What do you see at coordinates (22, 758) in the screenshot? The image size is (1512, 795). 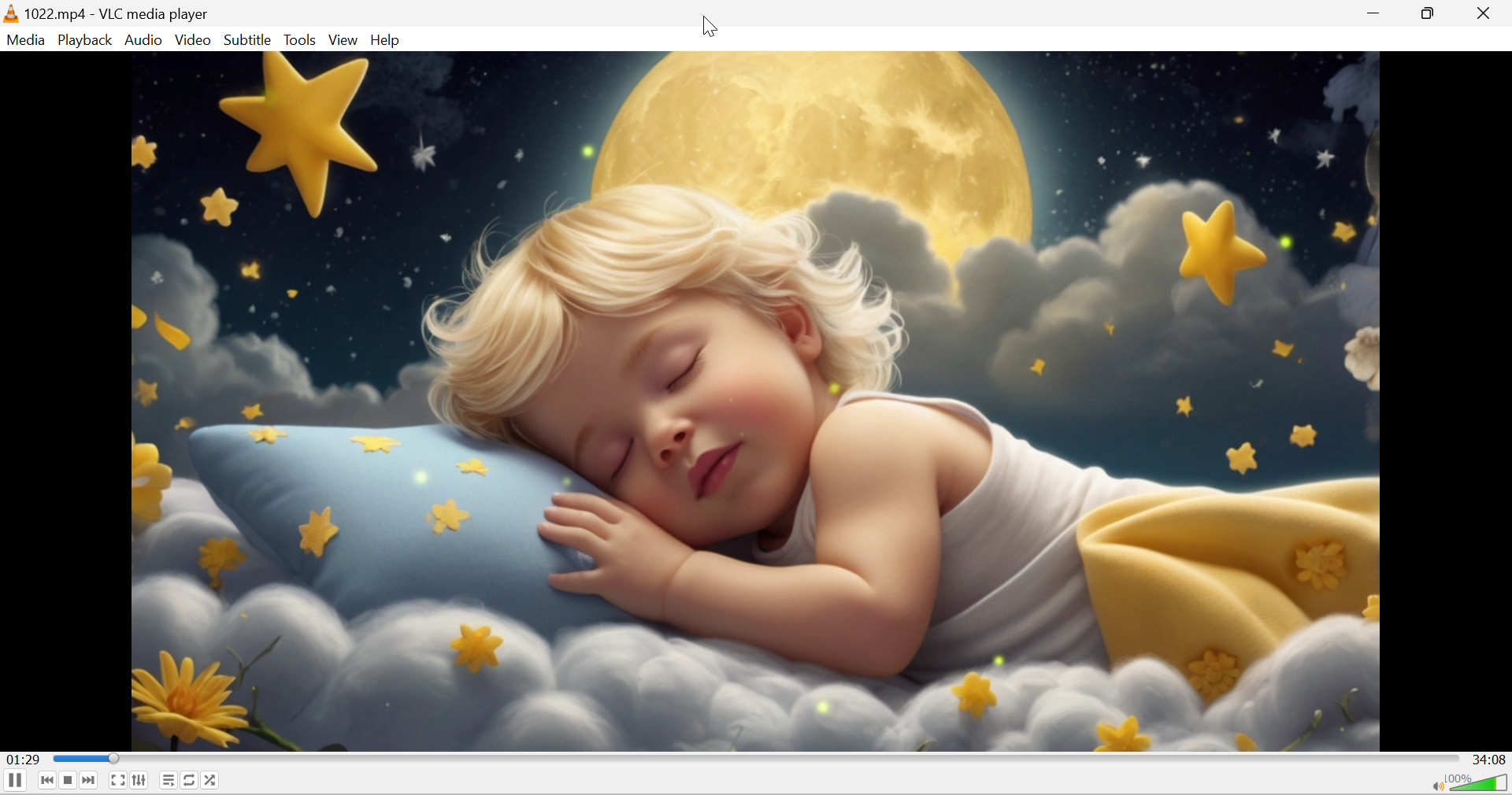 I see `01:29` at bounding box center [22, 758].